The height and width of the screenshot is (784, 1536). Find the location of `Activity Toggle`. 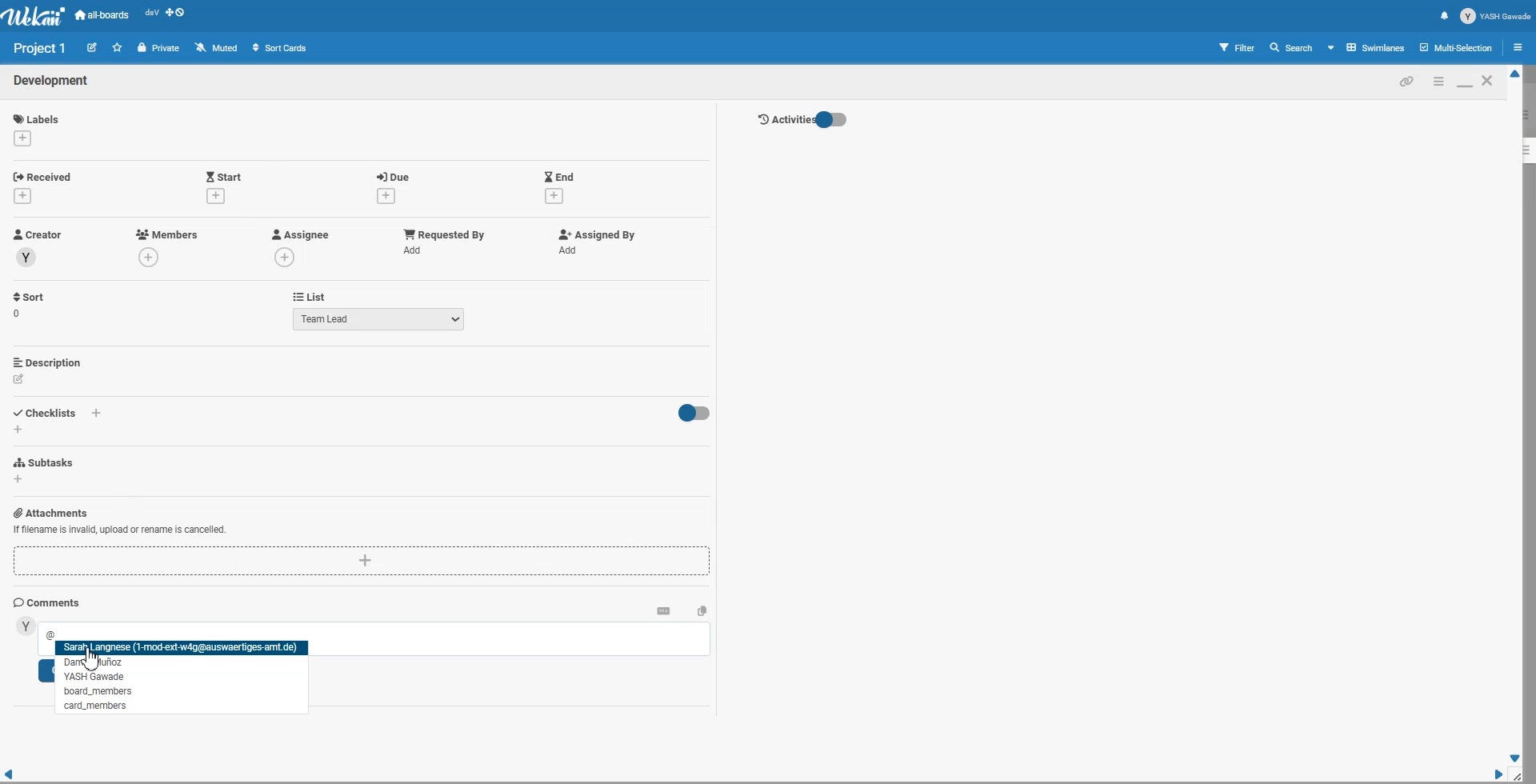

Activity Toggle is located at coordinates (802, 120).